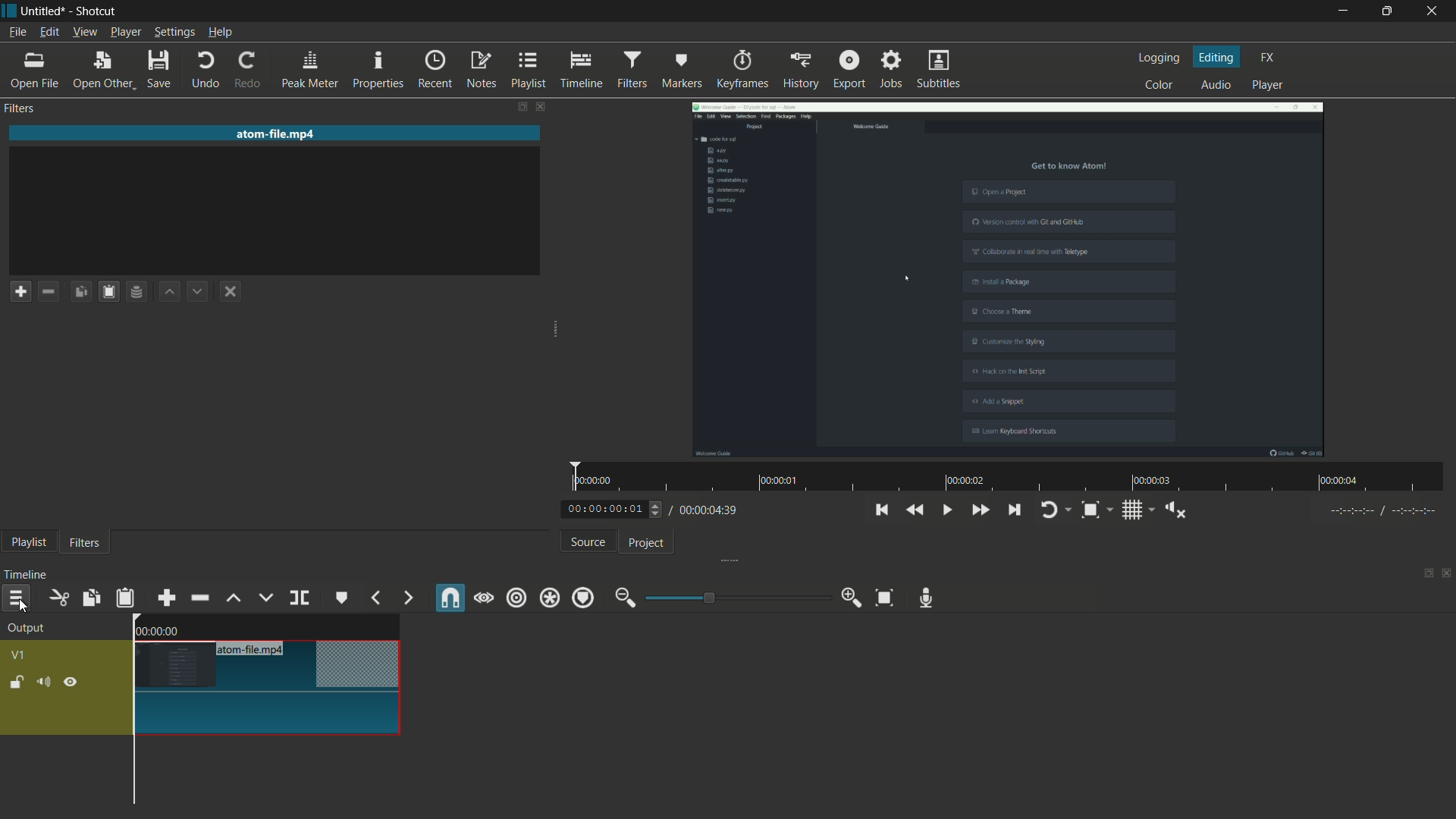 The image size is (1456, 819). Describe the element at coordinates (409, 598) in the screenshot. I see `next marker` at that location.